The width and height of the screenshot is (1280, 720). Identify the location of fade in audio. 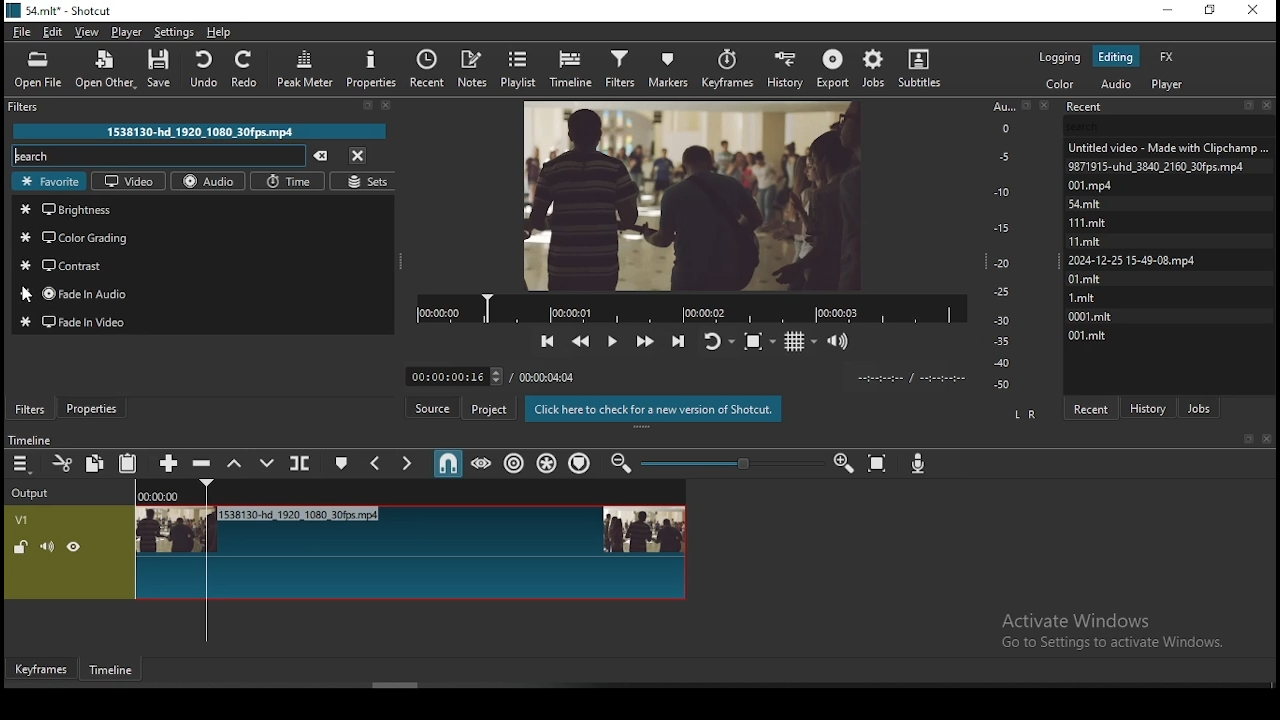
(199, 295).